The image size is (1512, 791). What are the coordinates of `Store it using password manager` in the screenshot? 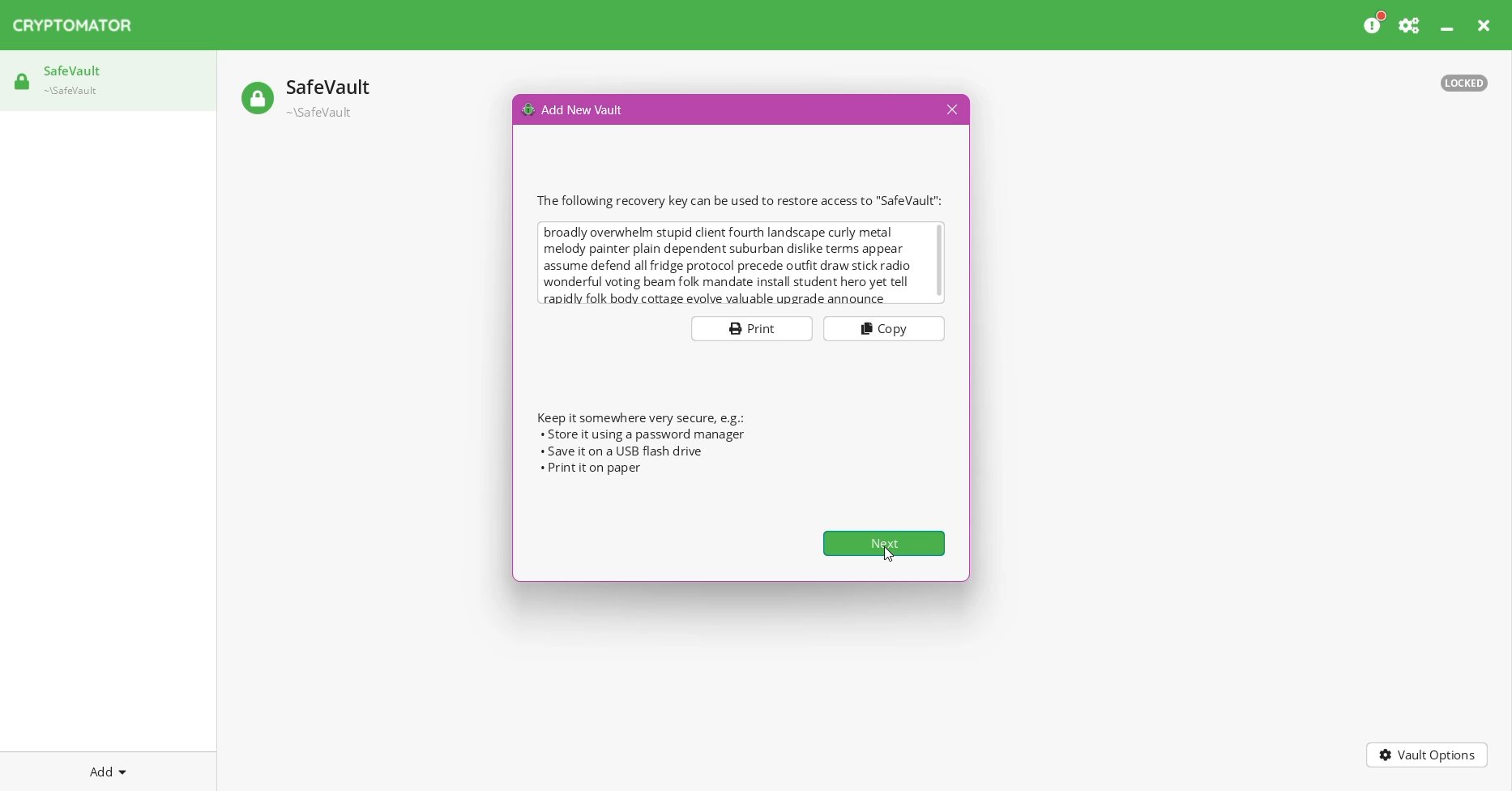 It's located at (643, 435).